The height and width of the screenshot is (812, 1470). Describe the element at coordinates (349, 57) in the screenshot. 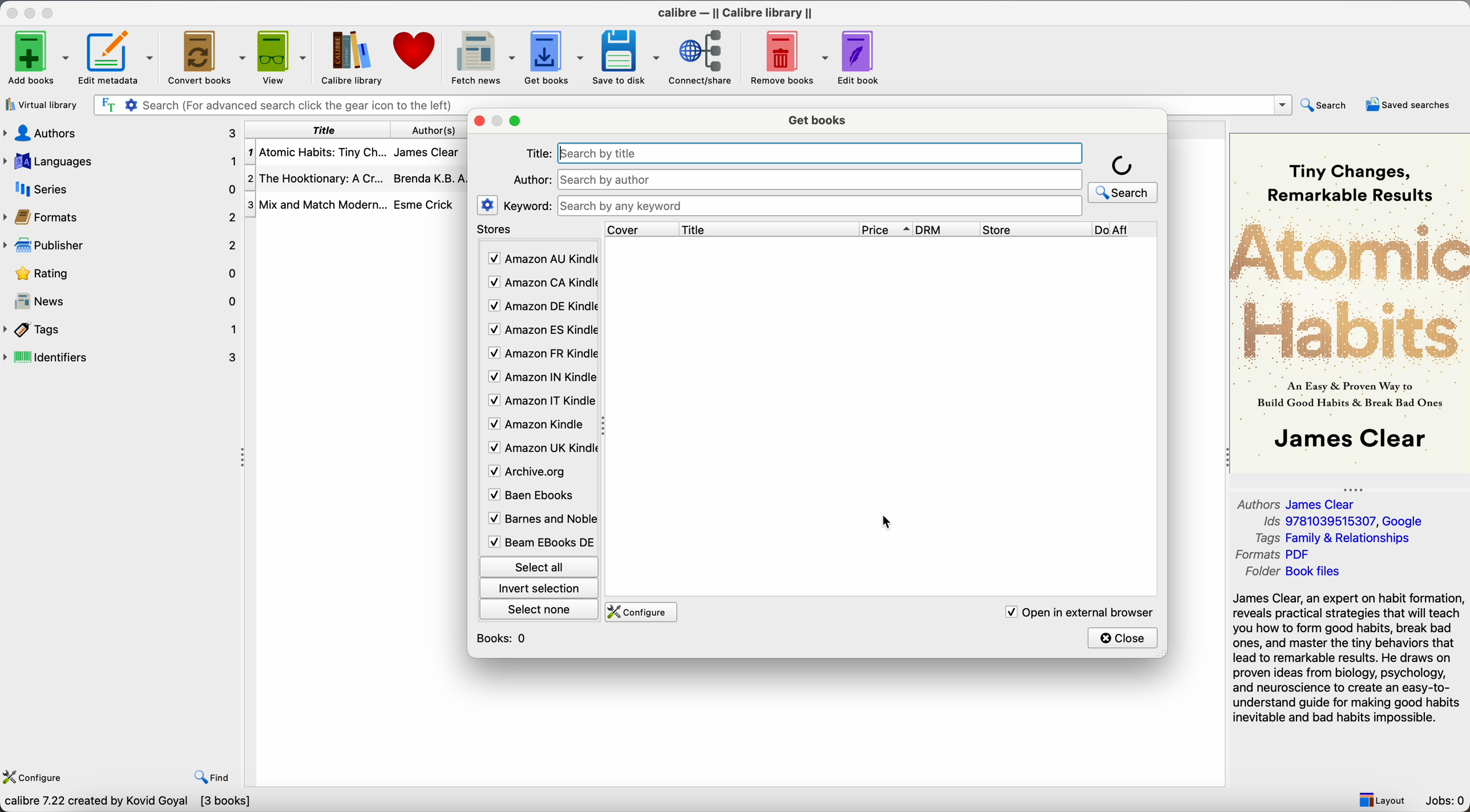

I see `Calibre library` at that location.